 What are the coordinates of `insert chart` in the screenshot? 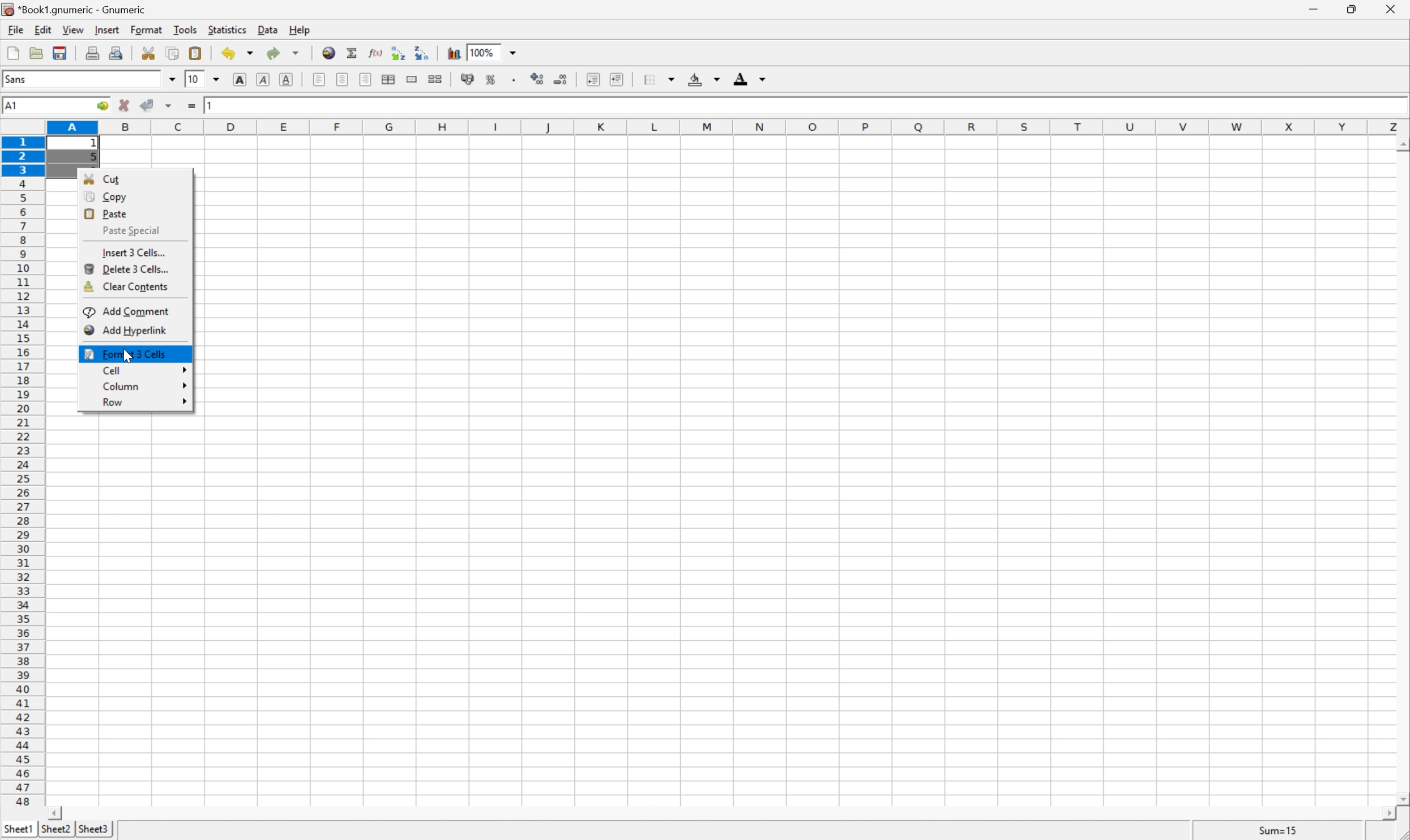 It's located at (453, 52).